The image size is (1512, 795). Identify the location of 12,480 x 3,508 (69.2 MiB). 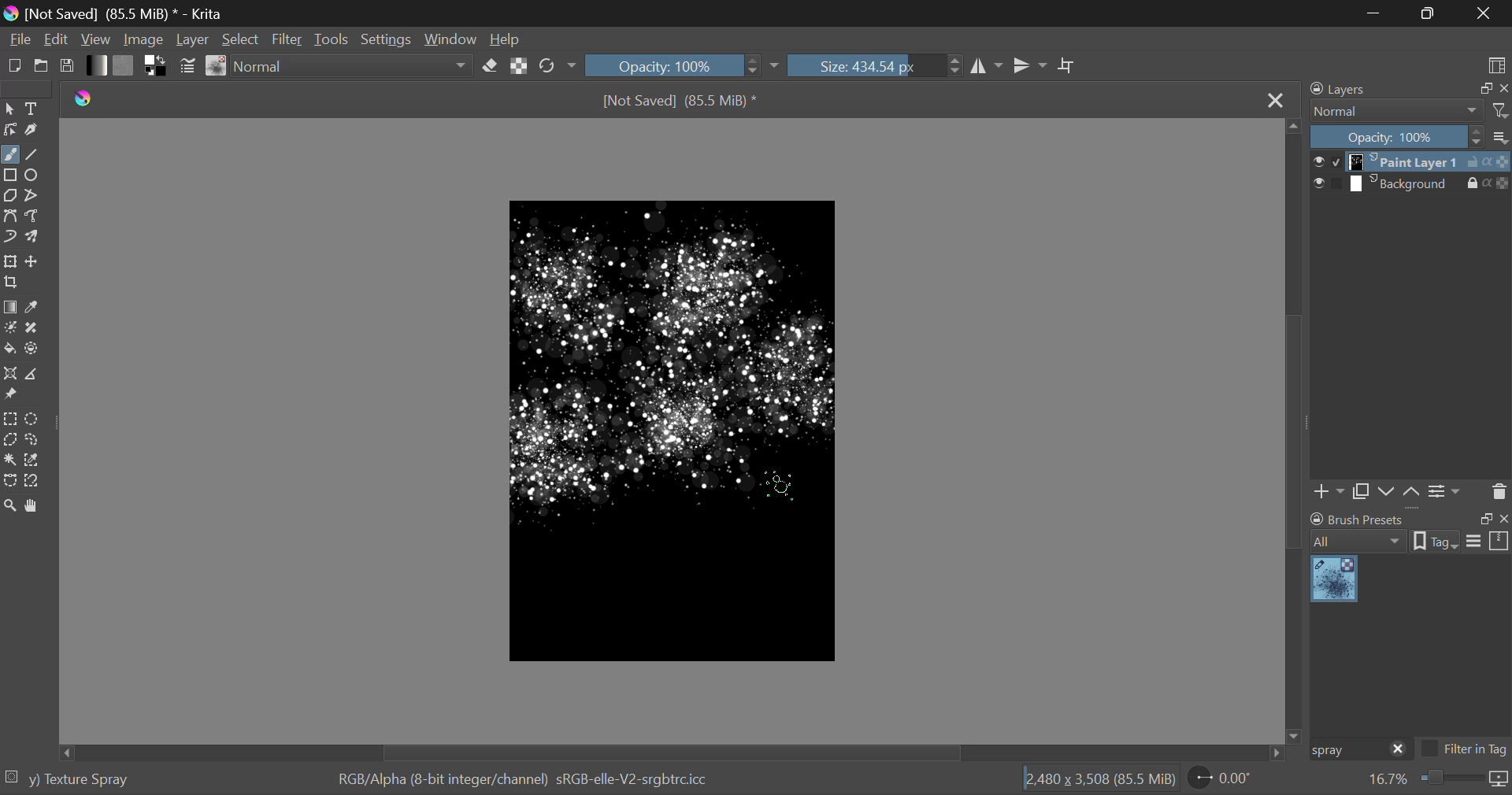
(1100, 778).